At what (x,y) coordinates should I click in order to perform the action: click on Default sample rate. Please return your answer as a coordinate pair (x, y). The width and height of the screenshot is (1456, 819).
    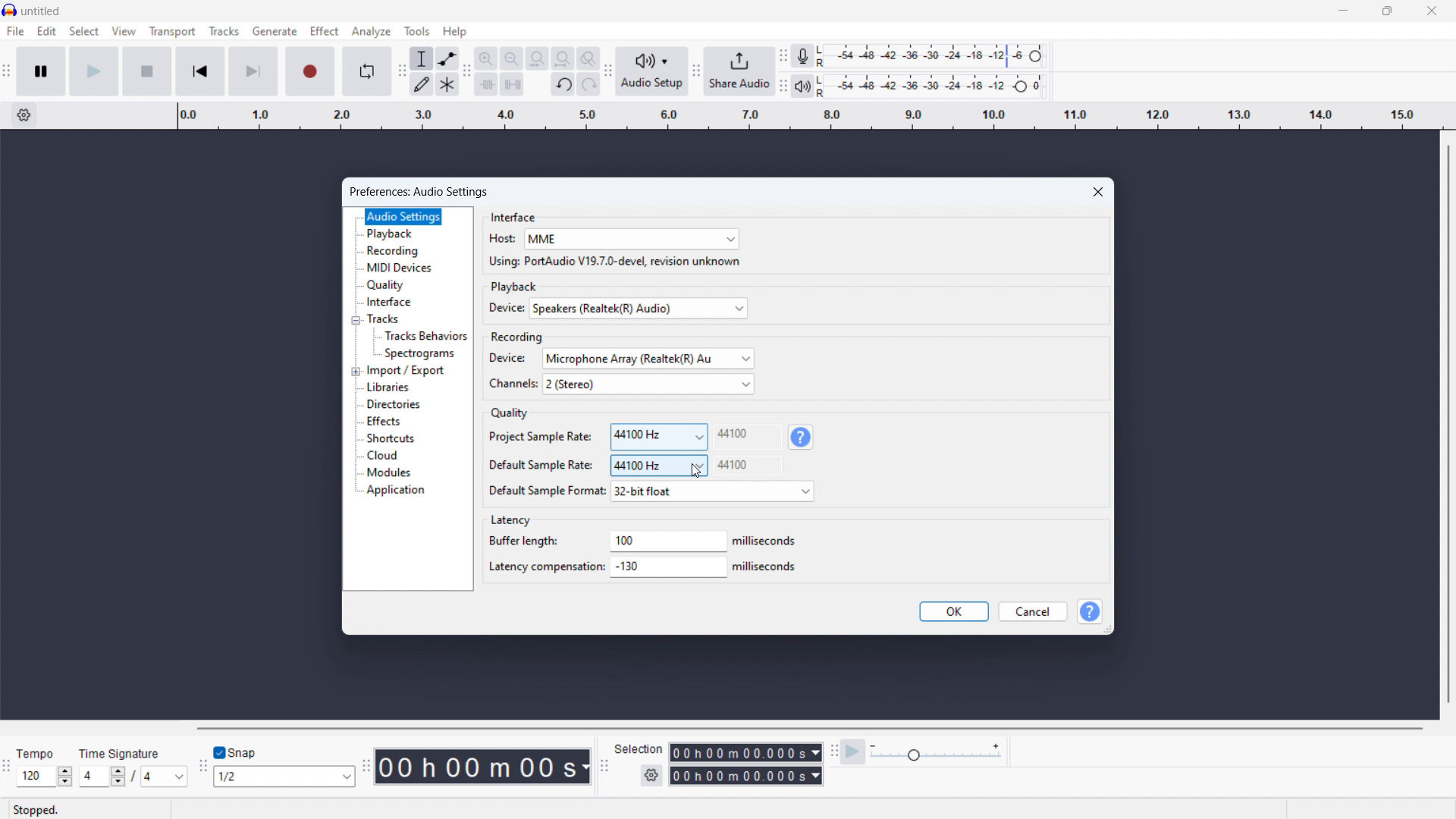
    Looking at the image, I should click on (539, 465).